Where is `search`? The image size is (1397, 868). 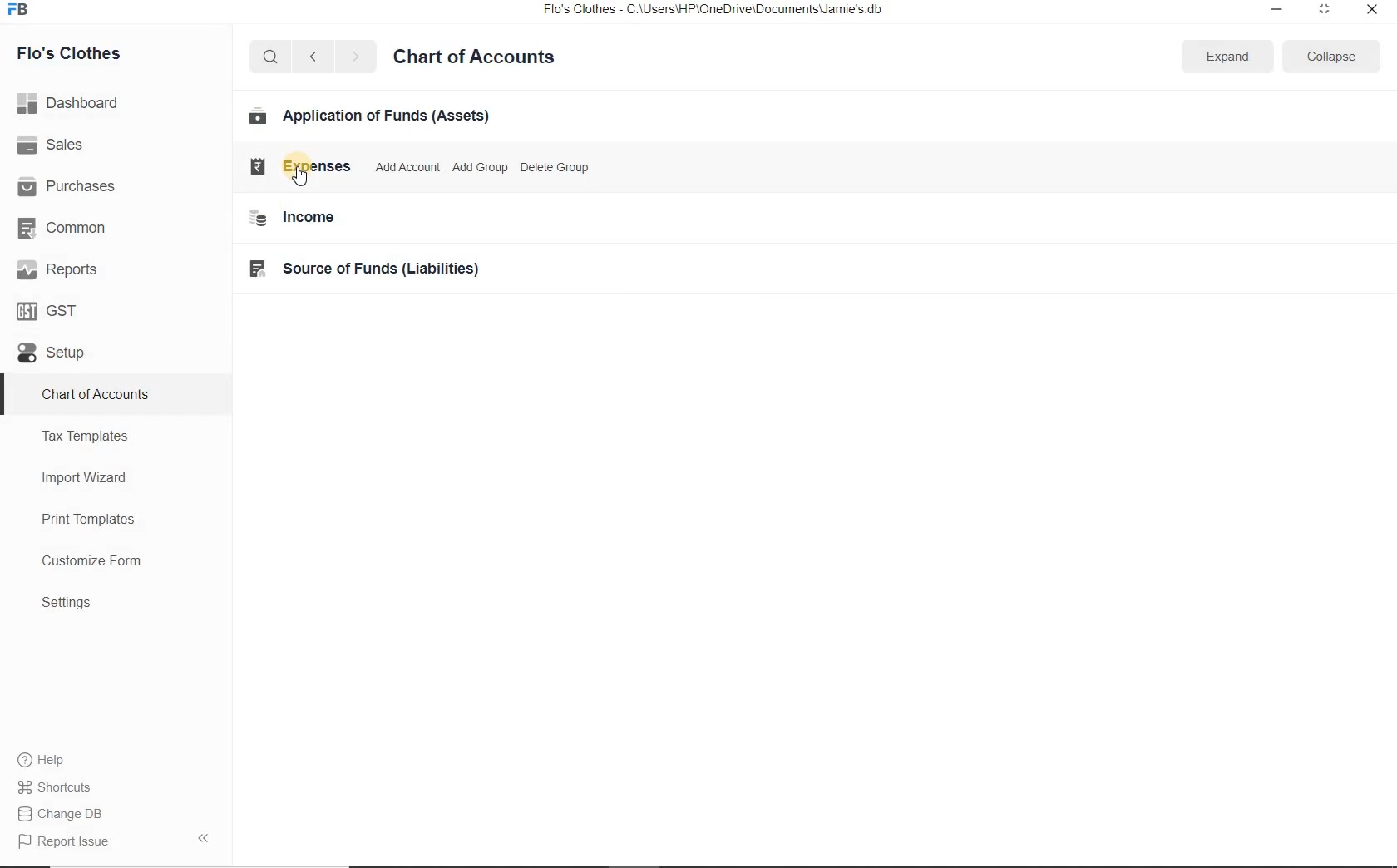
search is located at coordinates (268, 57).